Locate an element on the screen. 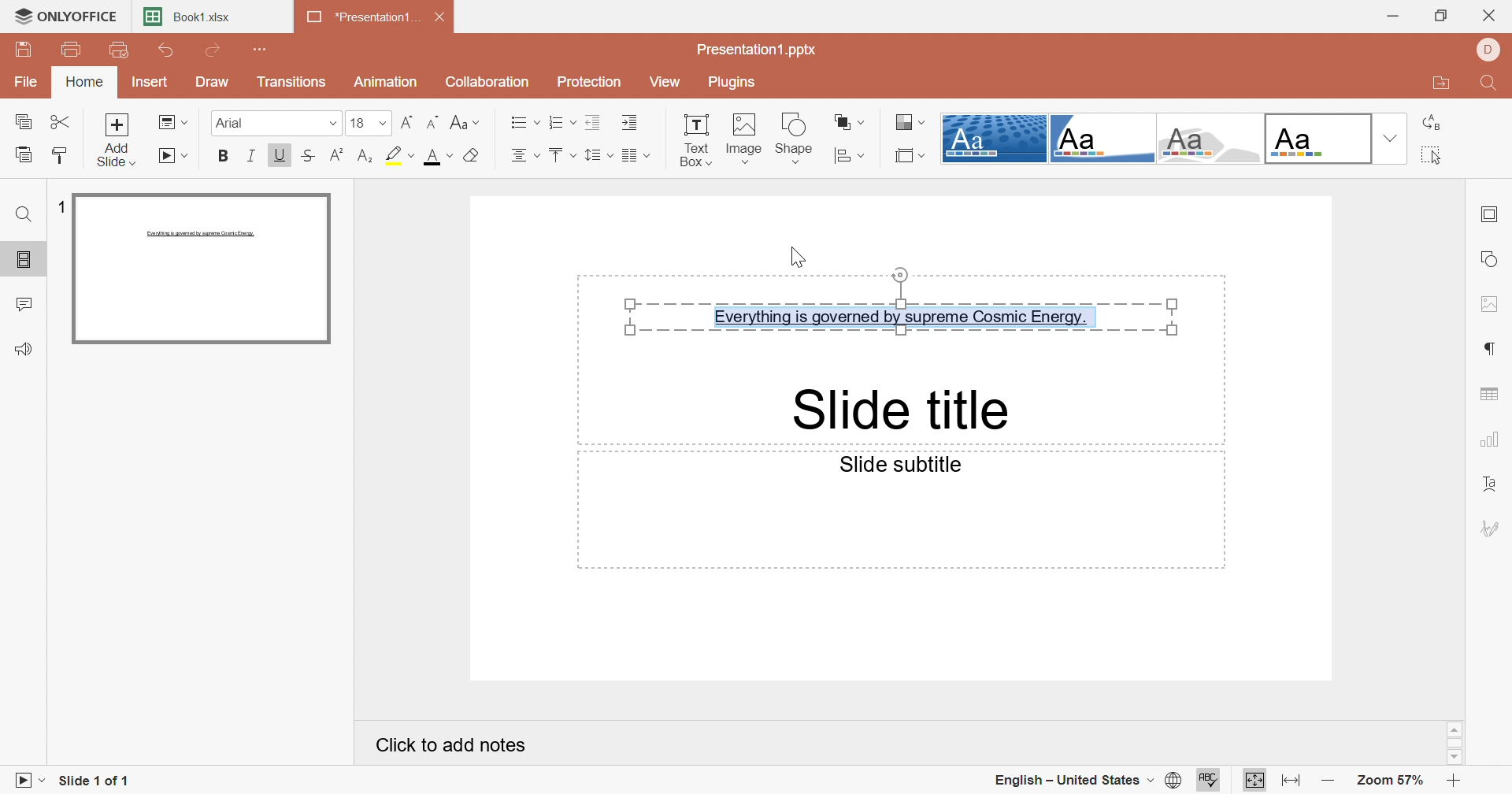 This screenshot has width=1512, height=794. Increment font size is located at coordinates (406, 121).